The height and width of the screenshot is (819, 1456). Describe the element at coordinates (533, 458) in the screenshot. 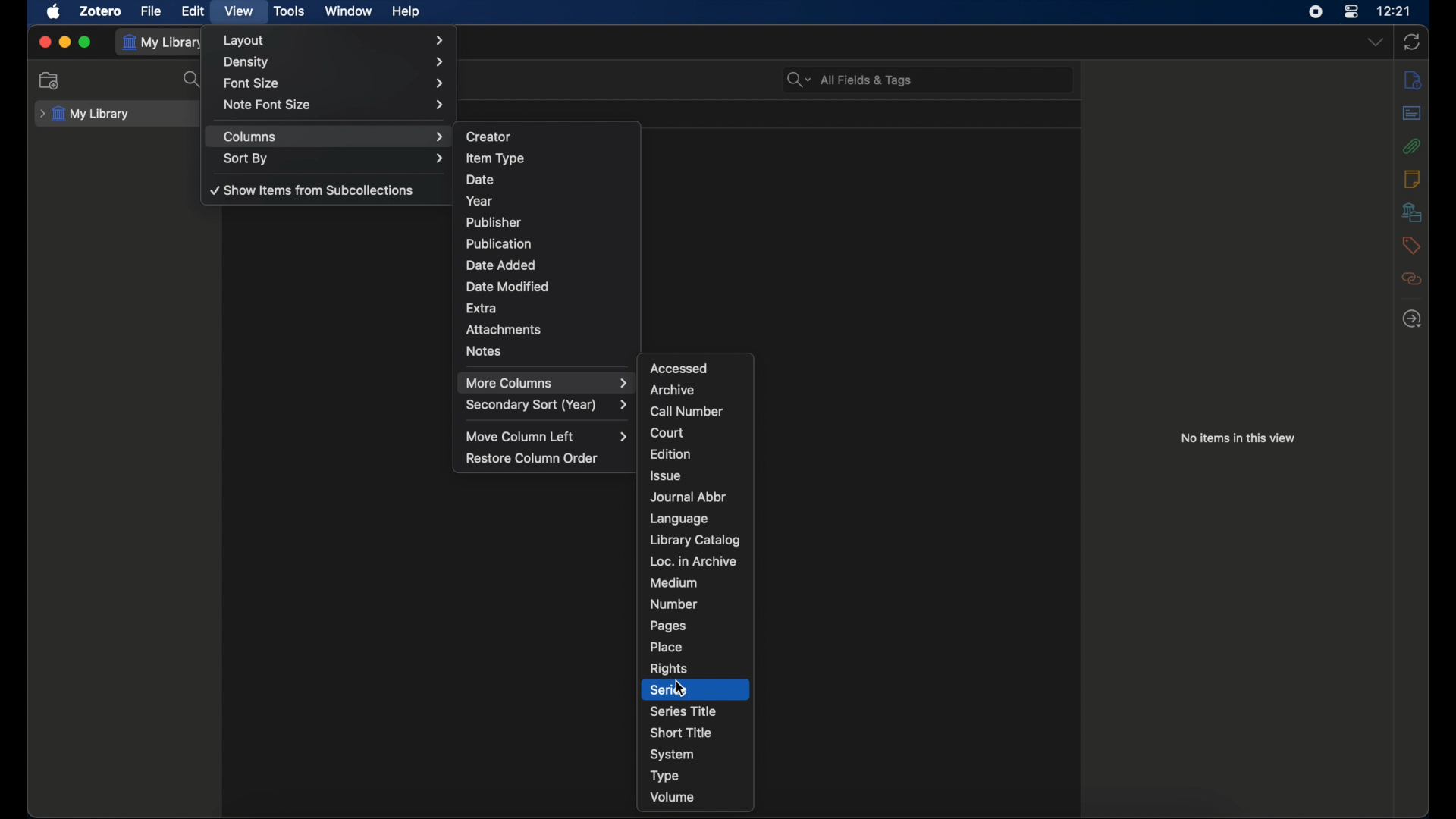

I see `restore column order` at that location.